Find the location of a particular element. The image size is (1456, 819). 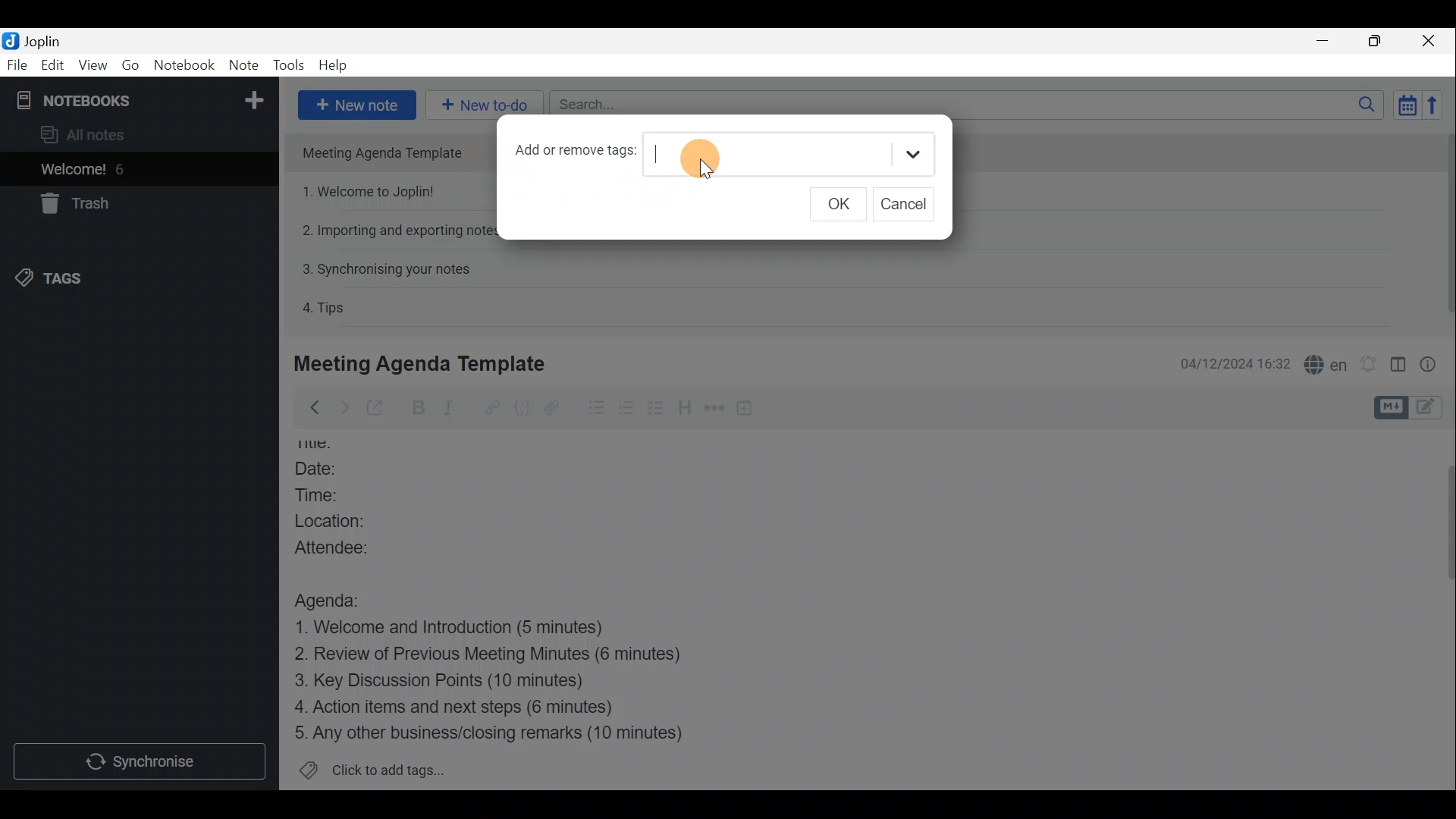

New note is located at coordinates (357, 105).